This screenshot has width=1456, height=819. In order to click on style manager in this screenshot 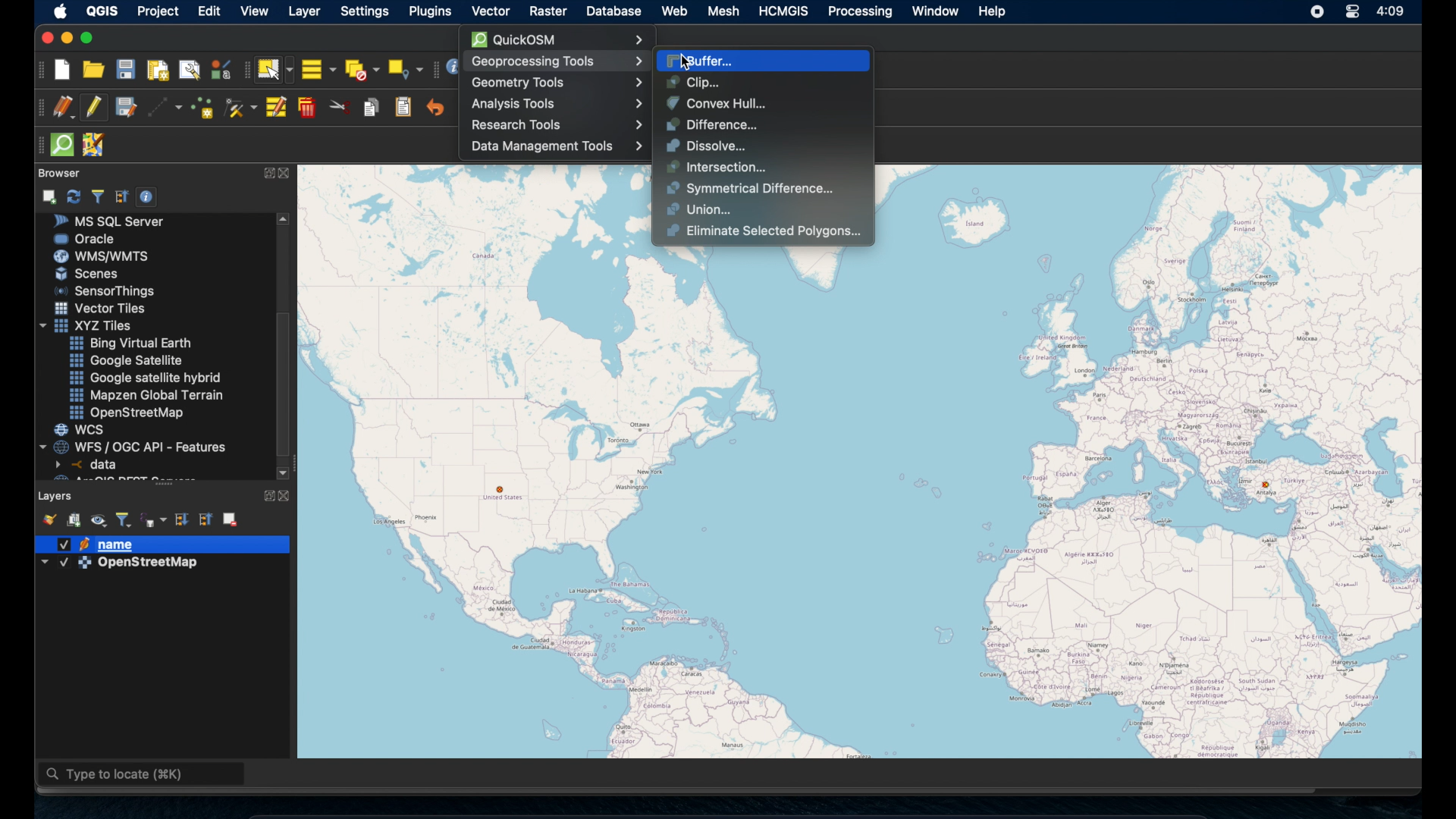, I will do `click(48, 518)`.